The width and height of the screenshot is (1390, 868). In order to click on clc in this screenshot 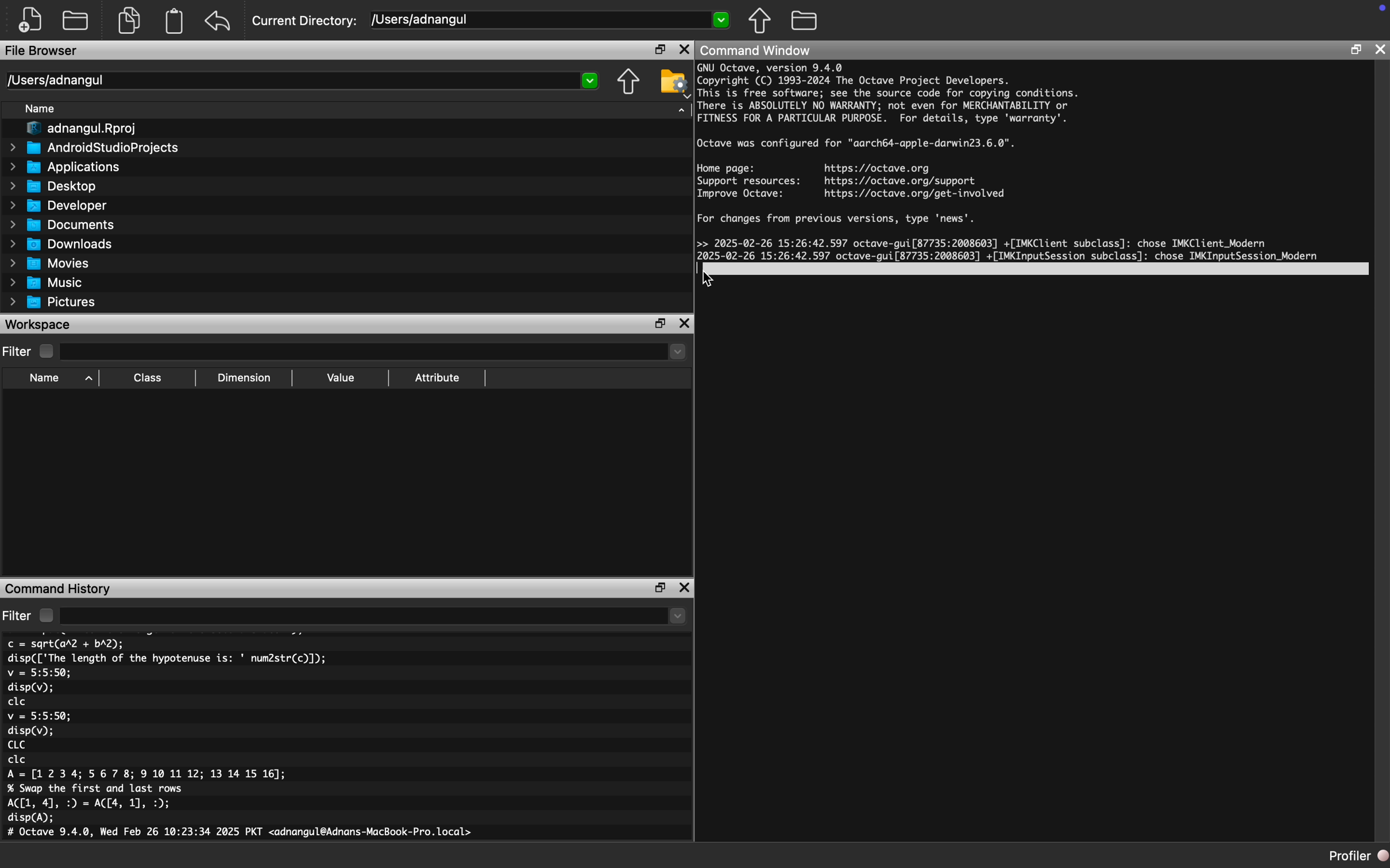, I will do `click(18, 760)`.